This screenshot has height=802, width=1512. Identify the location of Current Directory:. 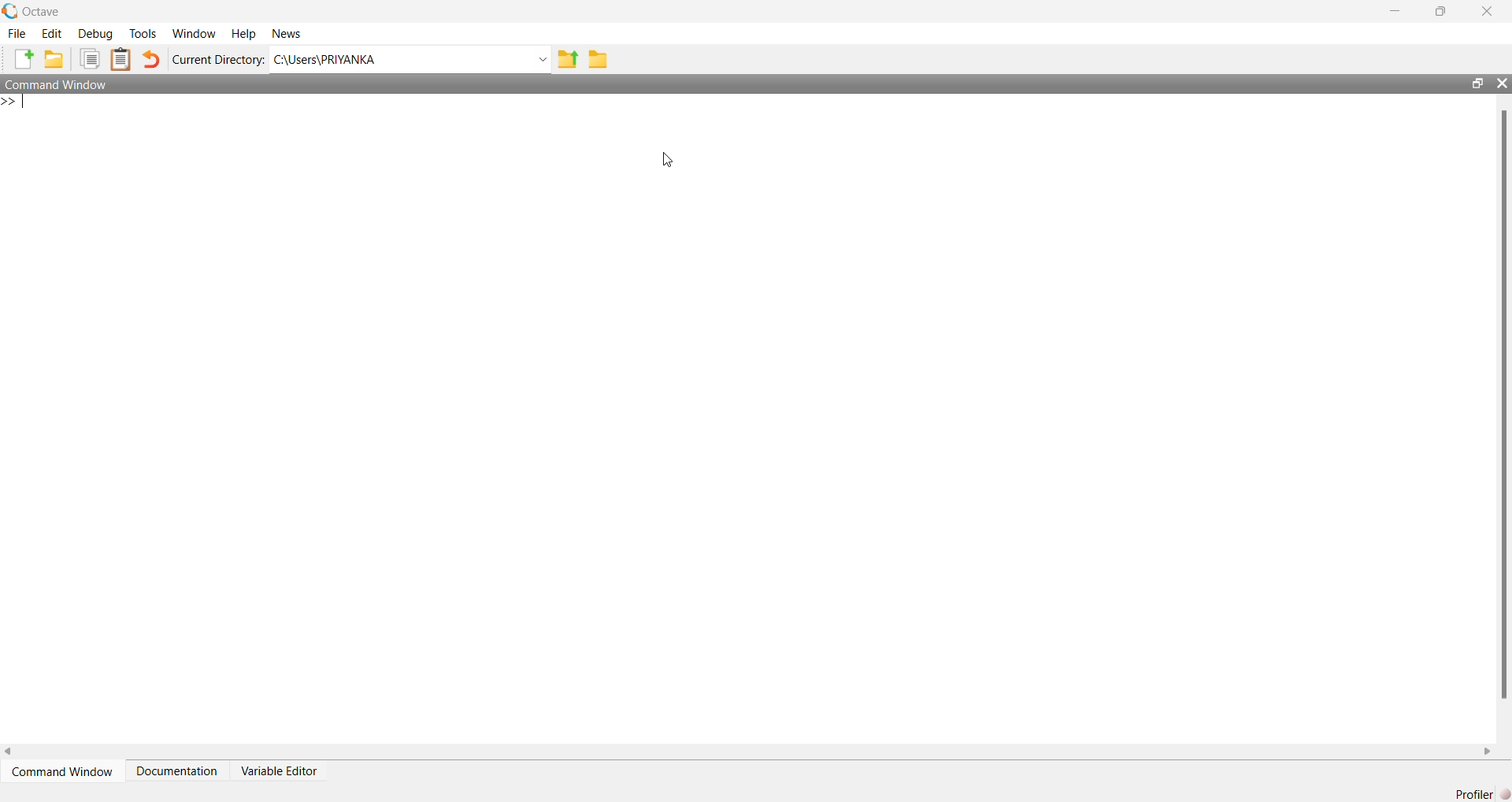
(219, 59).